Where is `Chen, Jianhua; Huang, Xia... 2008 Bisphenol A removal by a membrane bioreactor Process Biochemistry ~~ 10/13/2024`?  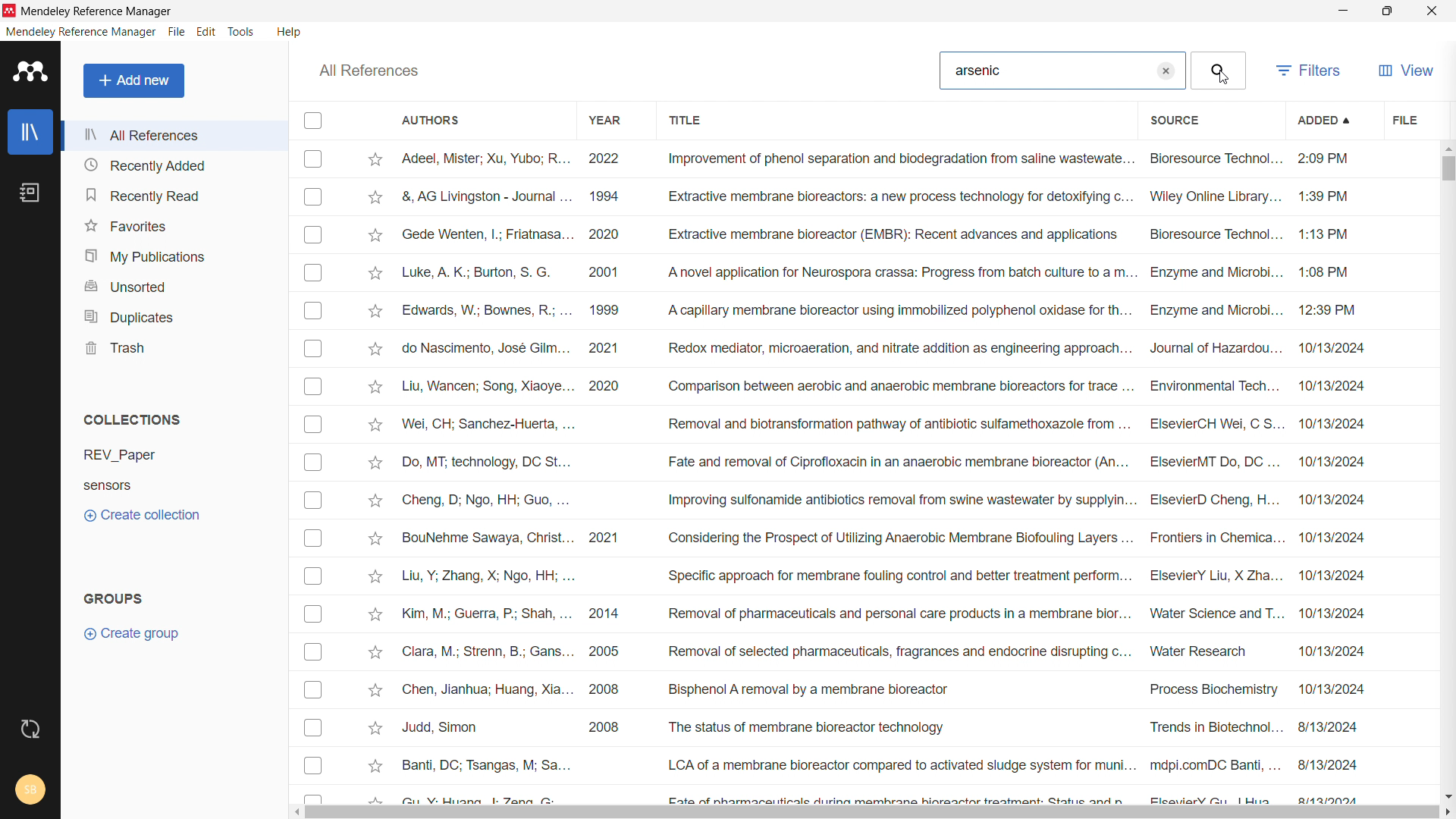
Chen, Jianhua; Huang, Xia... 2008 Bisphenol A removal by a membrane bioreactor Process Biochemistry ~~ 10/13/2024 is located at coordinates (884, 687).